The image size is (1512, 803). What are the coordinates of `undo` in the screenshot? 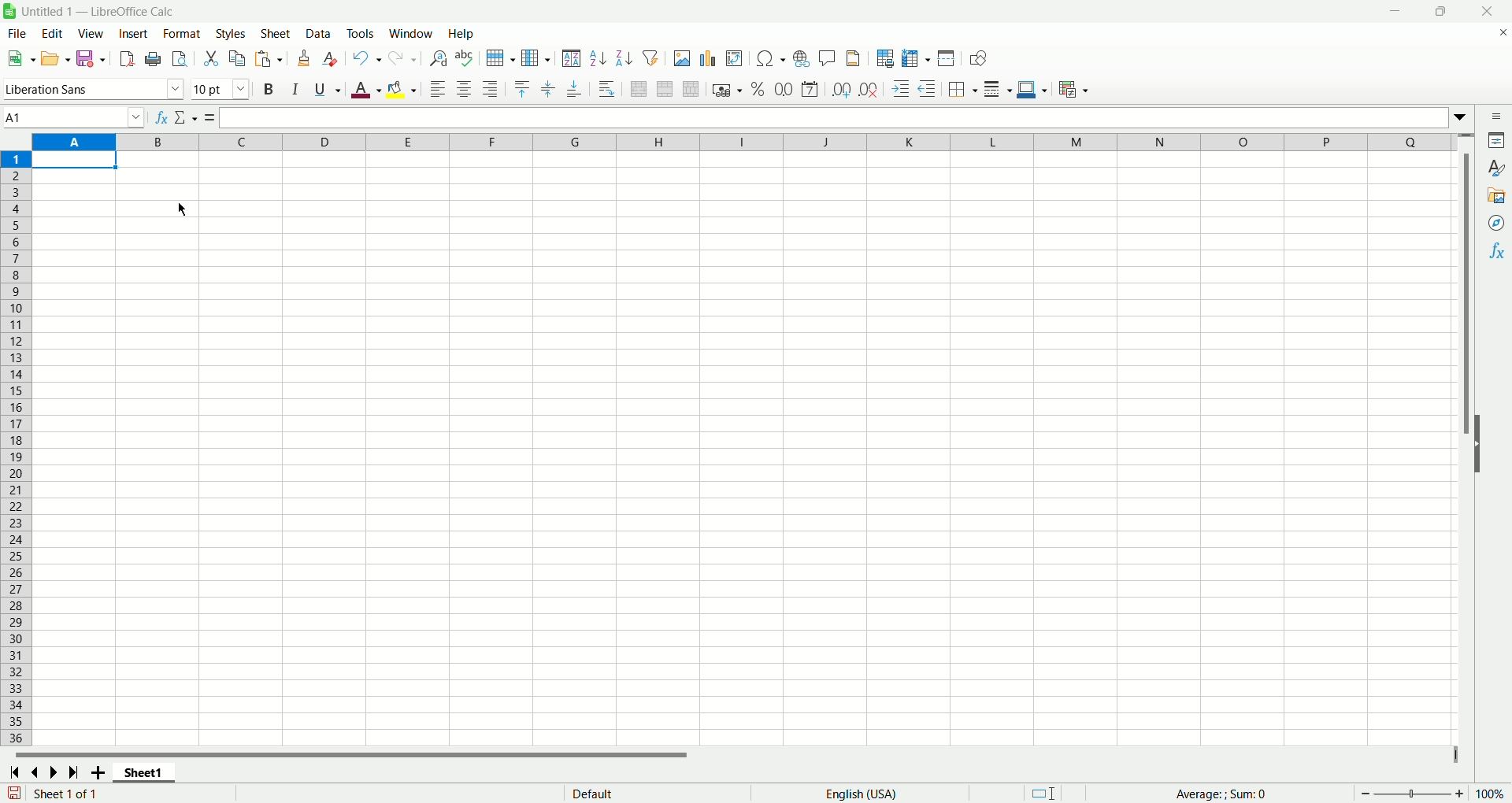 It's located at (368, 58).